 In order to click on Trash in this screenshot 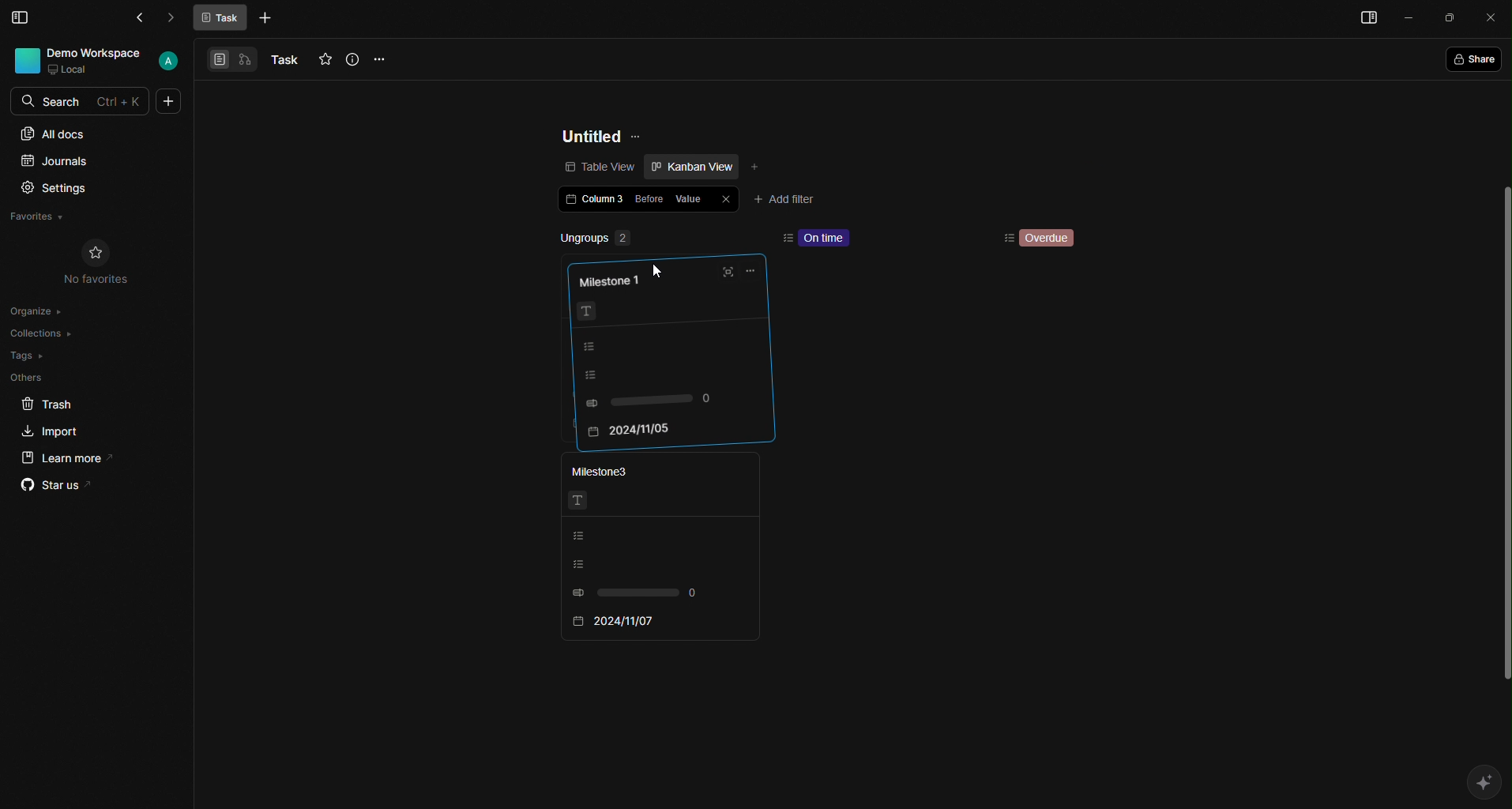, I will do `click(47, 403)`.